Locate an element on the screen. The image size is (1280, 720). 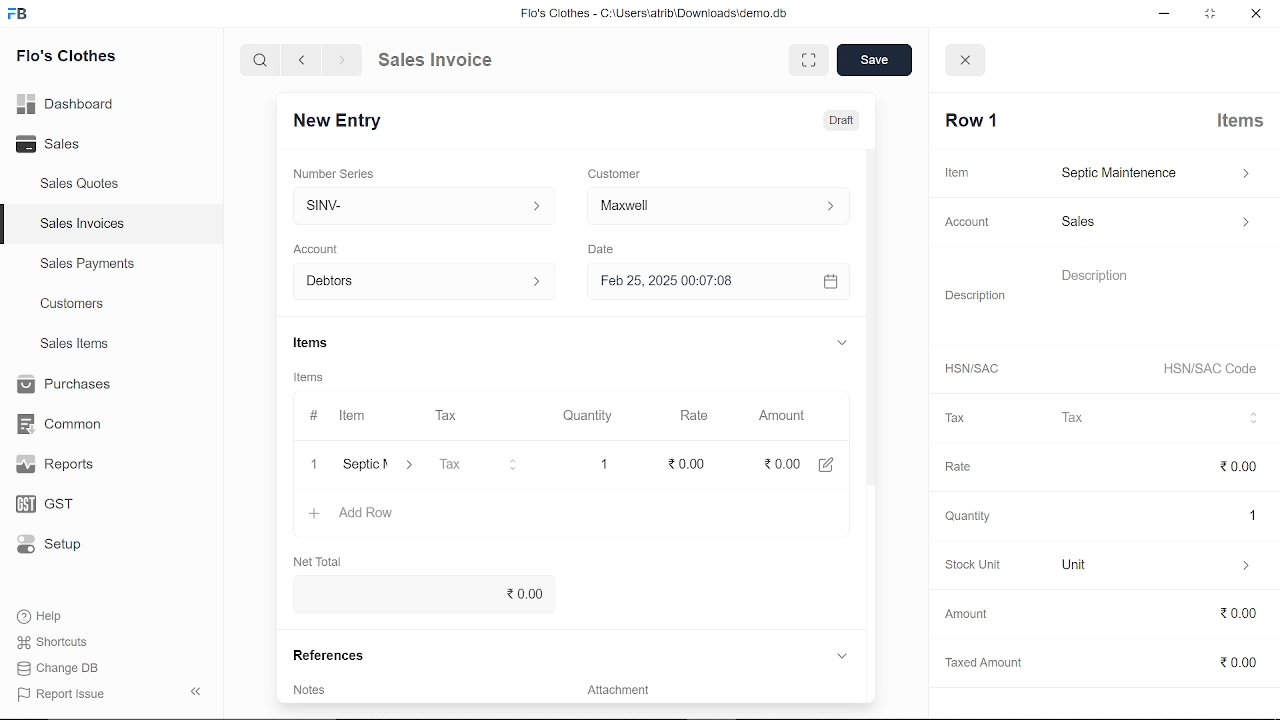
Debtors is located at coordinates (417, 281).